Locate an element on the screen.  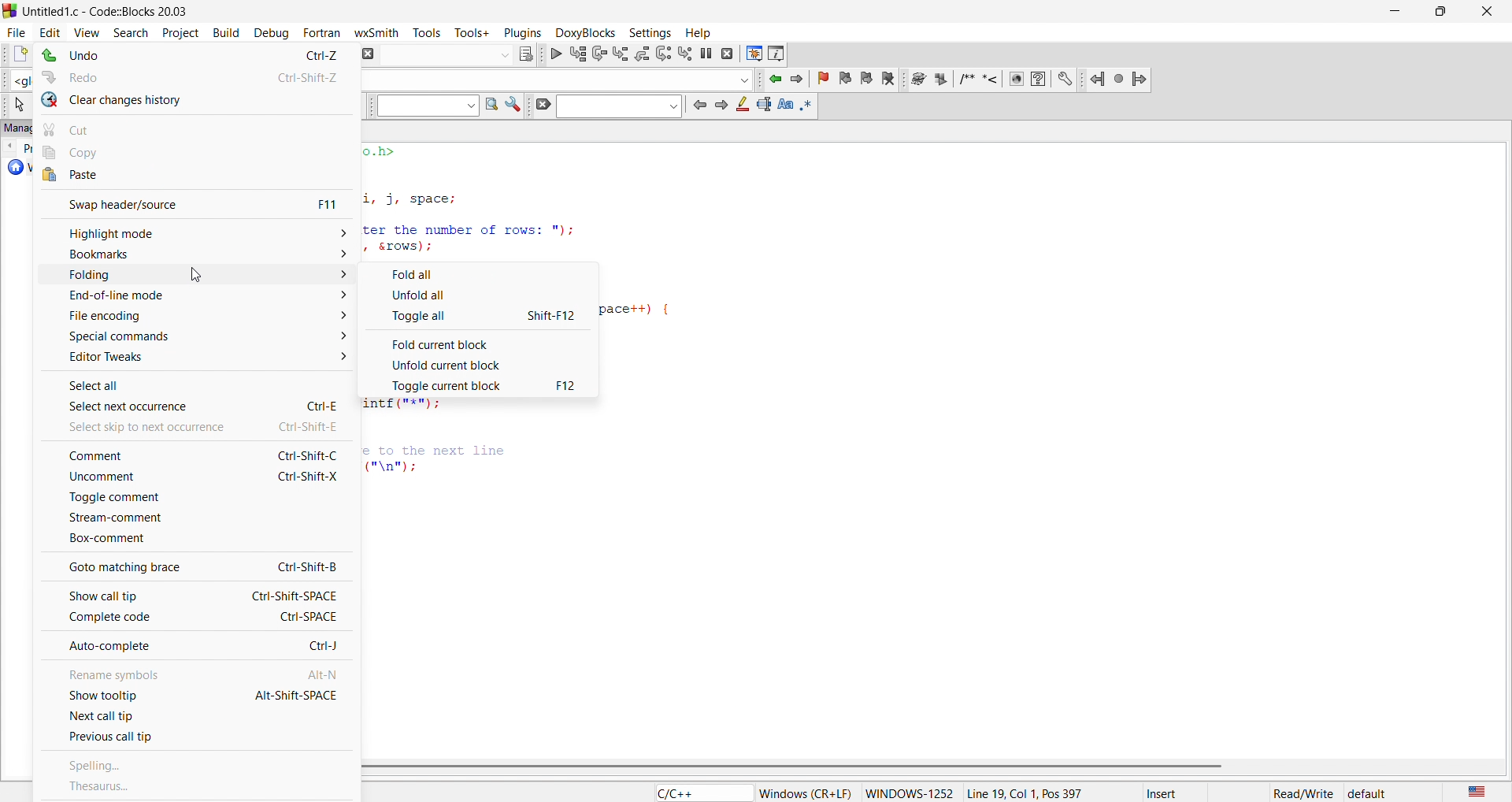
search box is located at coordinates (423, 106).